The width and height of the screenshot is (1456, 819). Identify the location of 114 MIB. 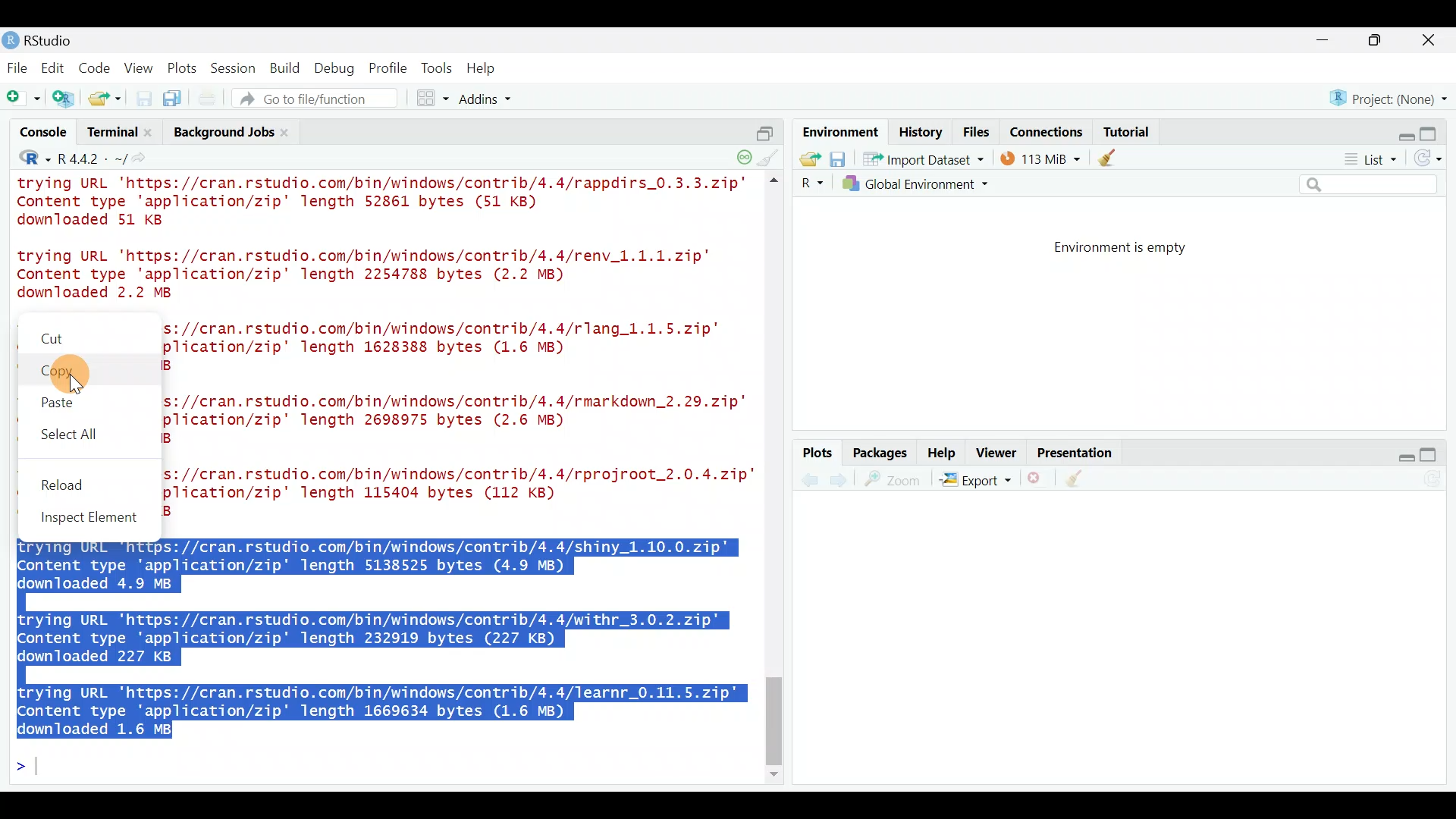
(1040, 158).